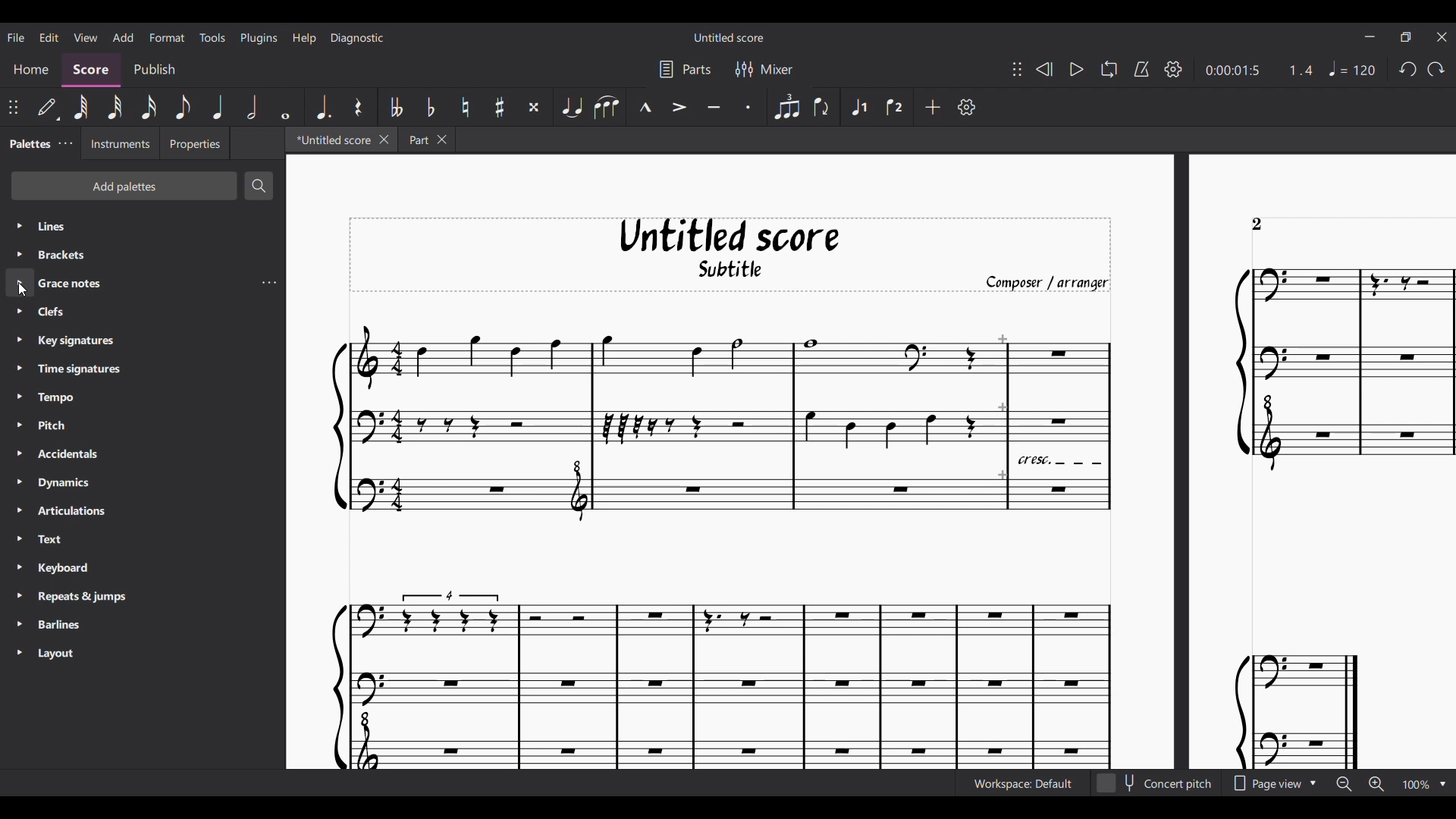  I want to click on Earlier tab, so click(427, 139).